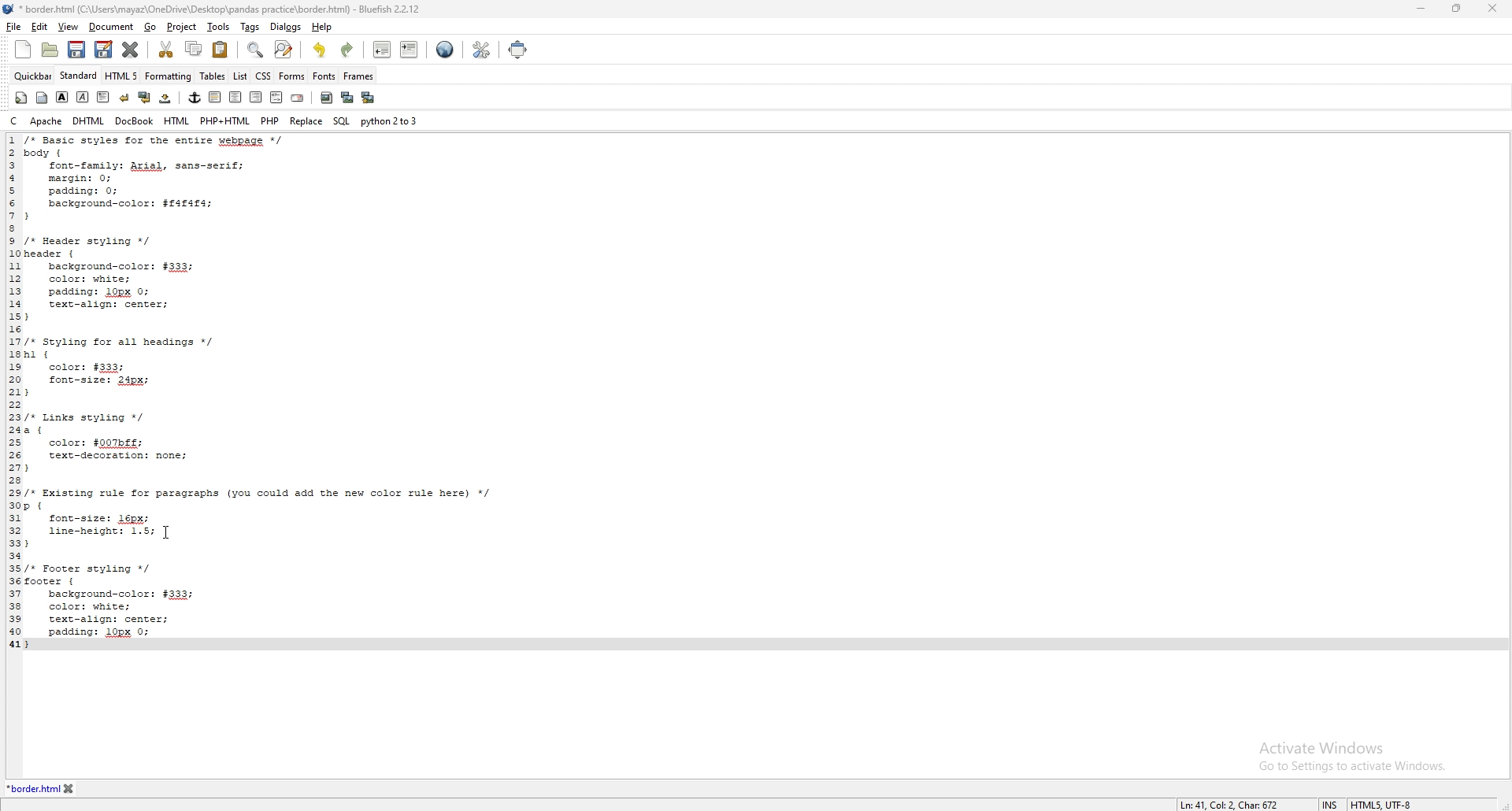 The image size is (1512, 811). I want to click on project, so click(180, 28).